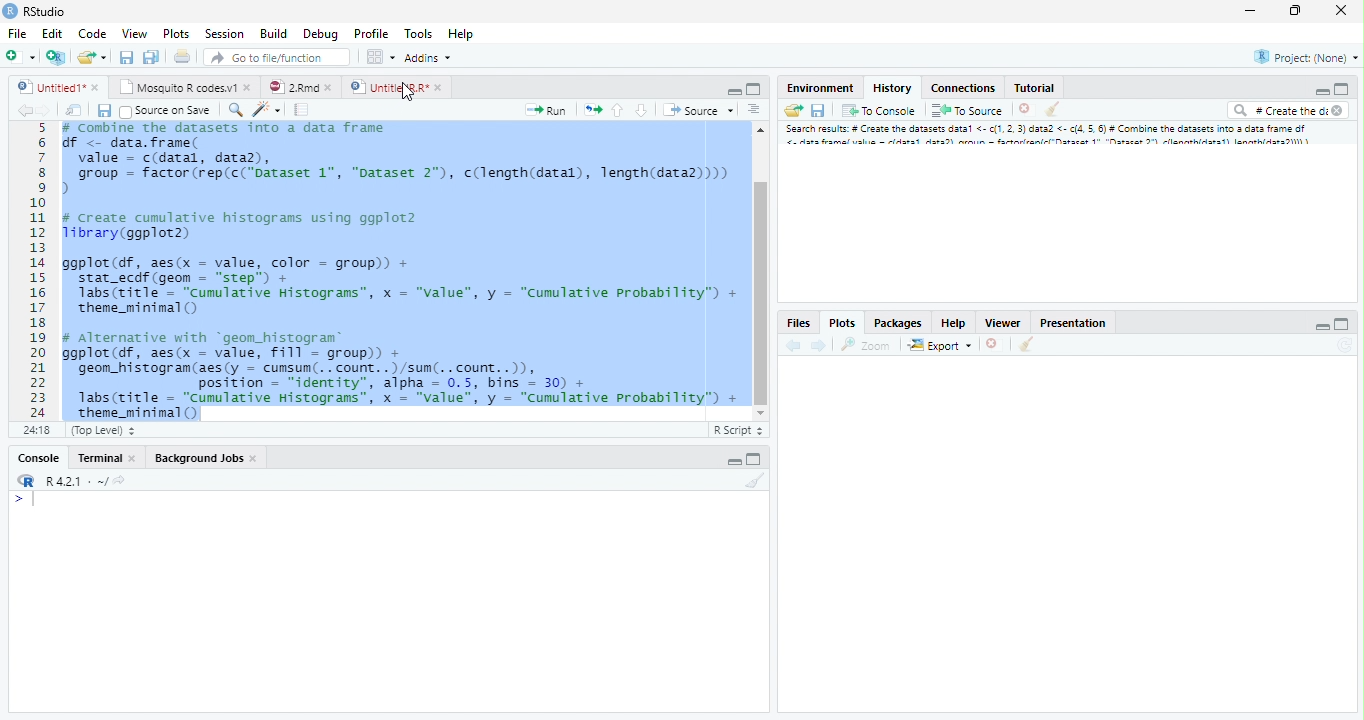 This screenshot has width=1364, height=720. What do you see at coordinates (1294, 11) in the screenshot?
I see `Maximize` at bounding box center [1294, 11].